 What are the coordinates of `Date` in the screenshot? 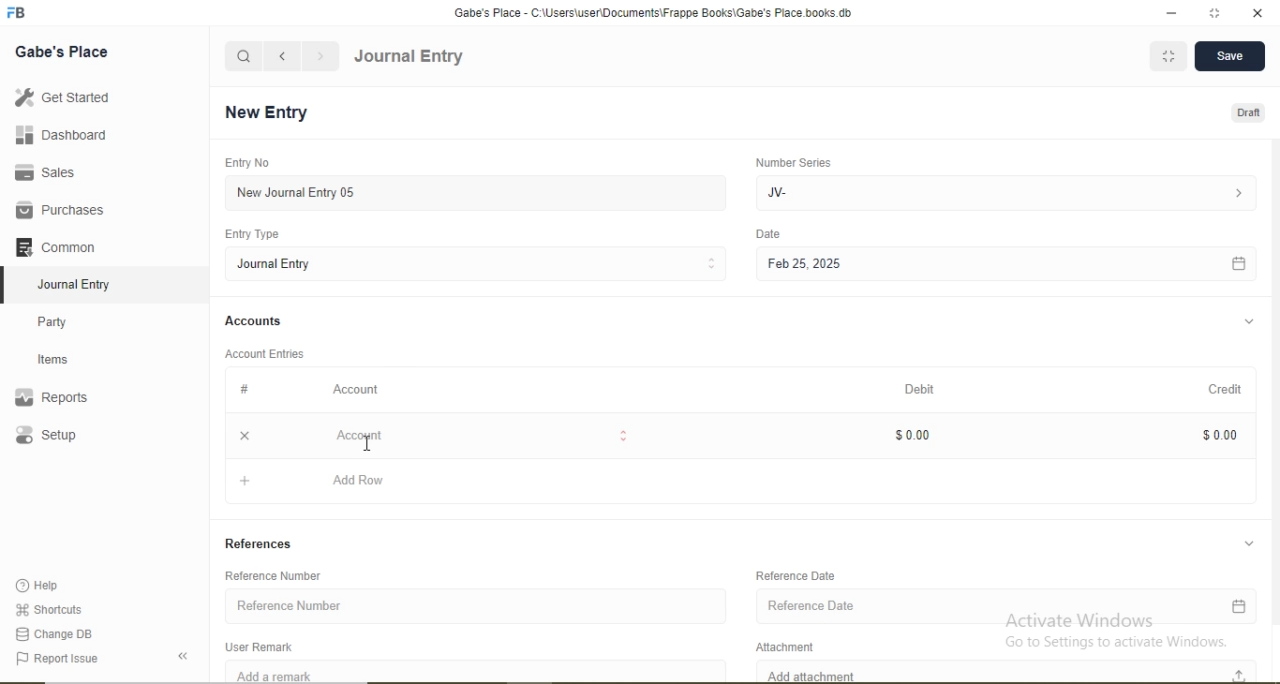 It's located at (769, 234).